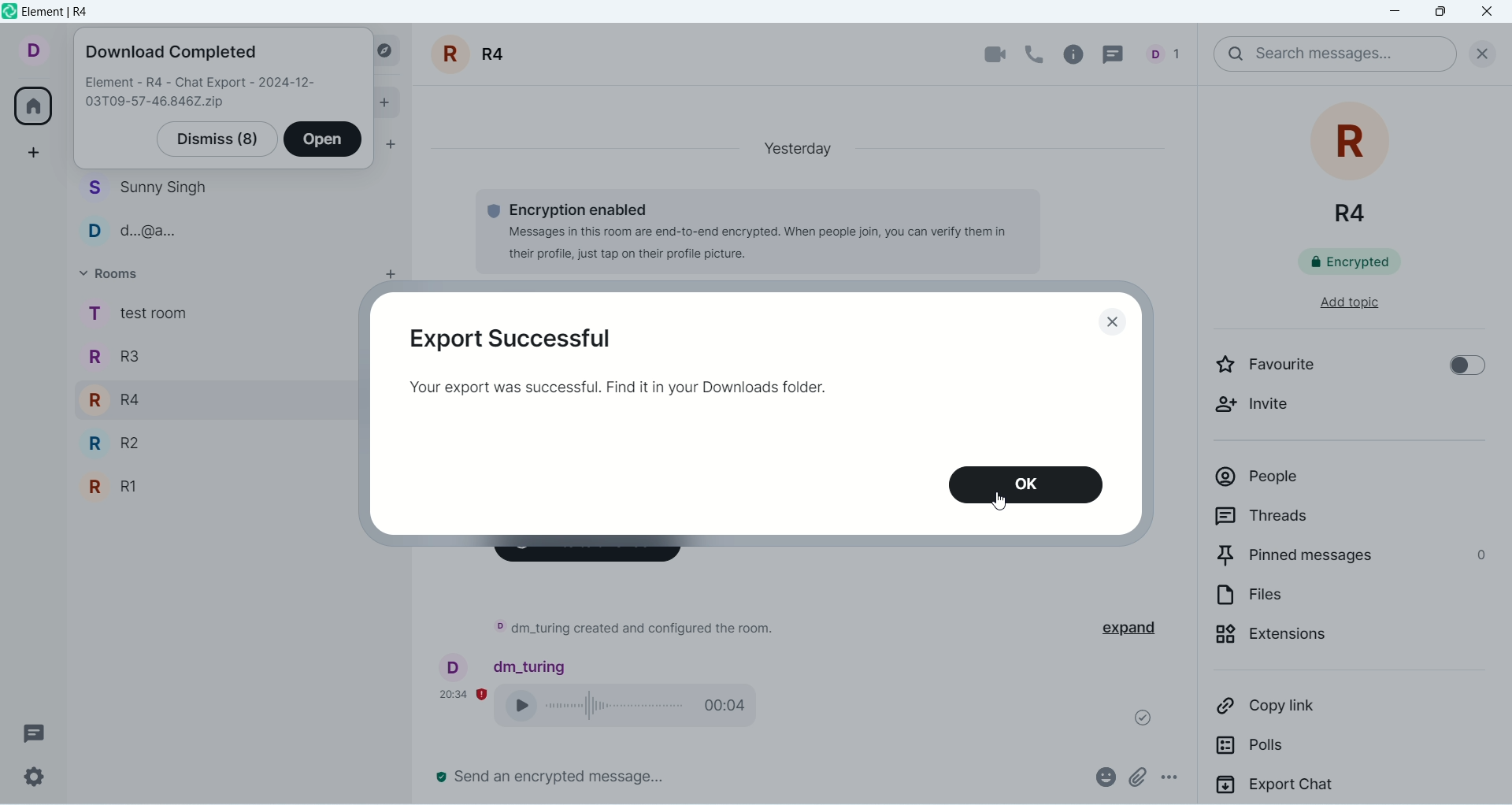 This screenshot has height=805, width=1512. What do you see at coordinates (505, 665) in the screenshot?
I see `account` at bounding box center [505, 665].